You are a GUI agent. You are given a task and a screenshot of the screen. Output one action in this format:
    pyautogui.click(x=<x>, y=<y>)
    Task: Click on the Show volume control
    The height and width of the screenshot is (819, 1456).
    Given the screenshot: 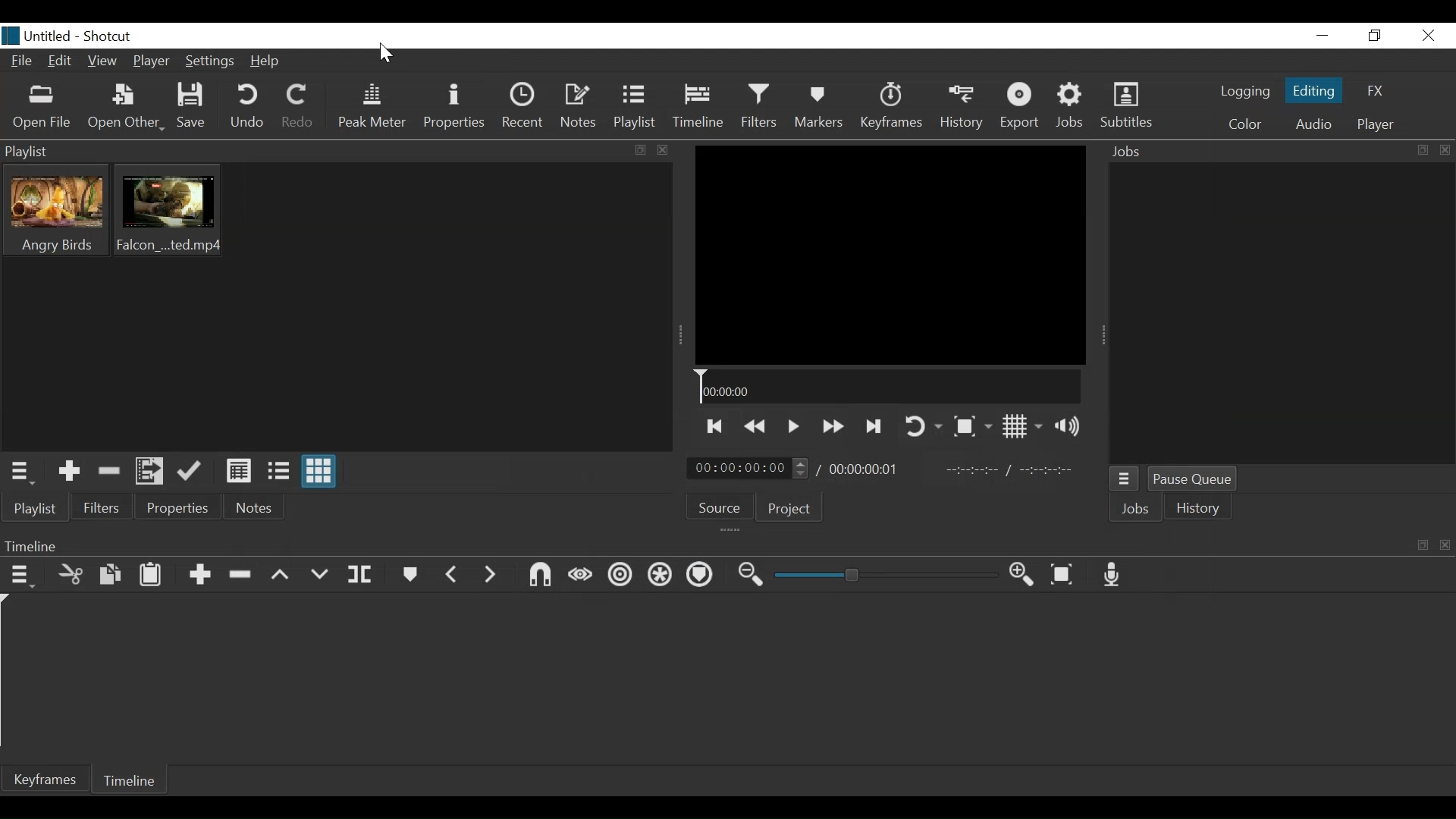 What is the action you would take?
    pyautogui.click(x=1072, y=425)
    